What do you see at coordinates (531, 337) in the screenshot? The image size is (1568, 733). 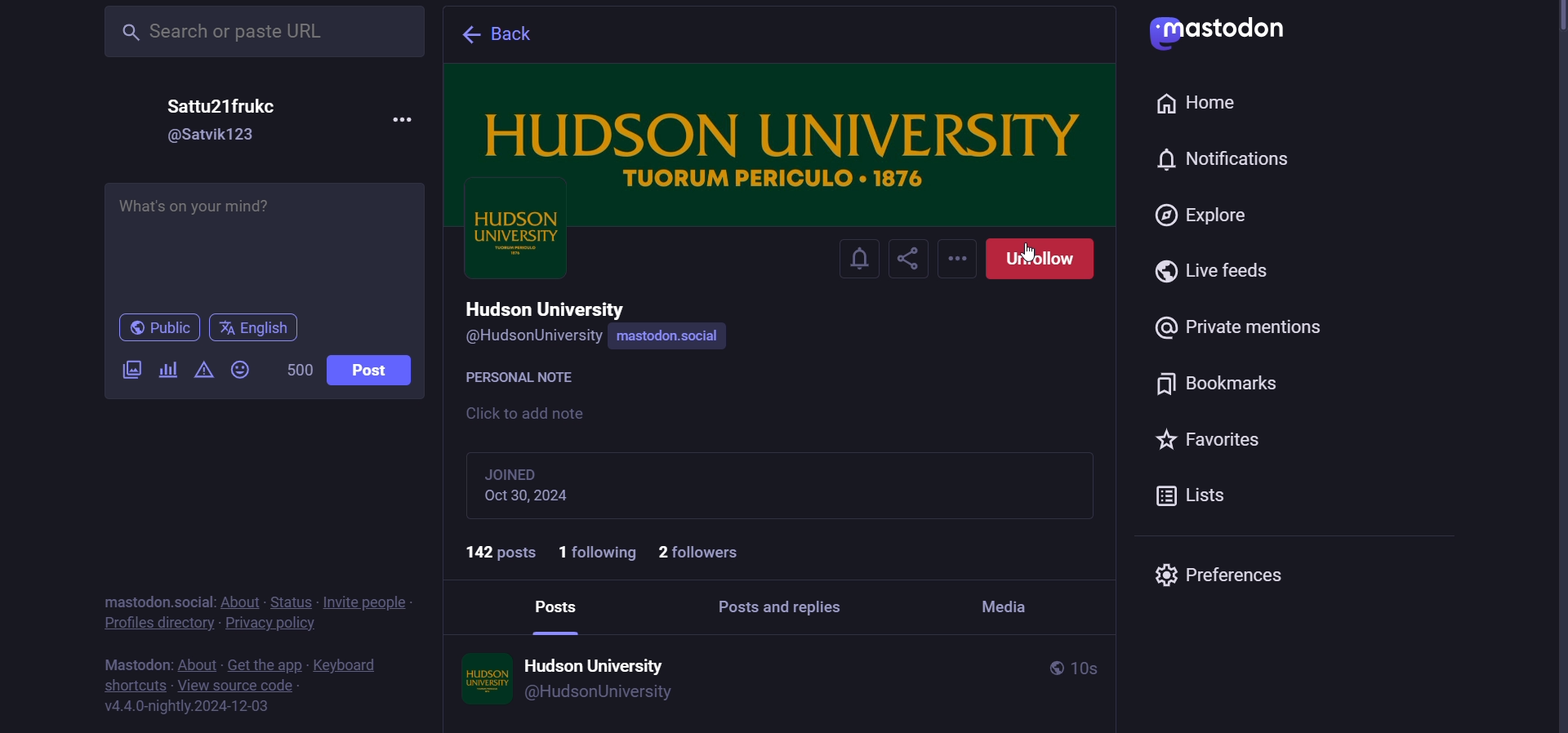 I see `@HudsonUniversity` at bounding box center [531, 337].